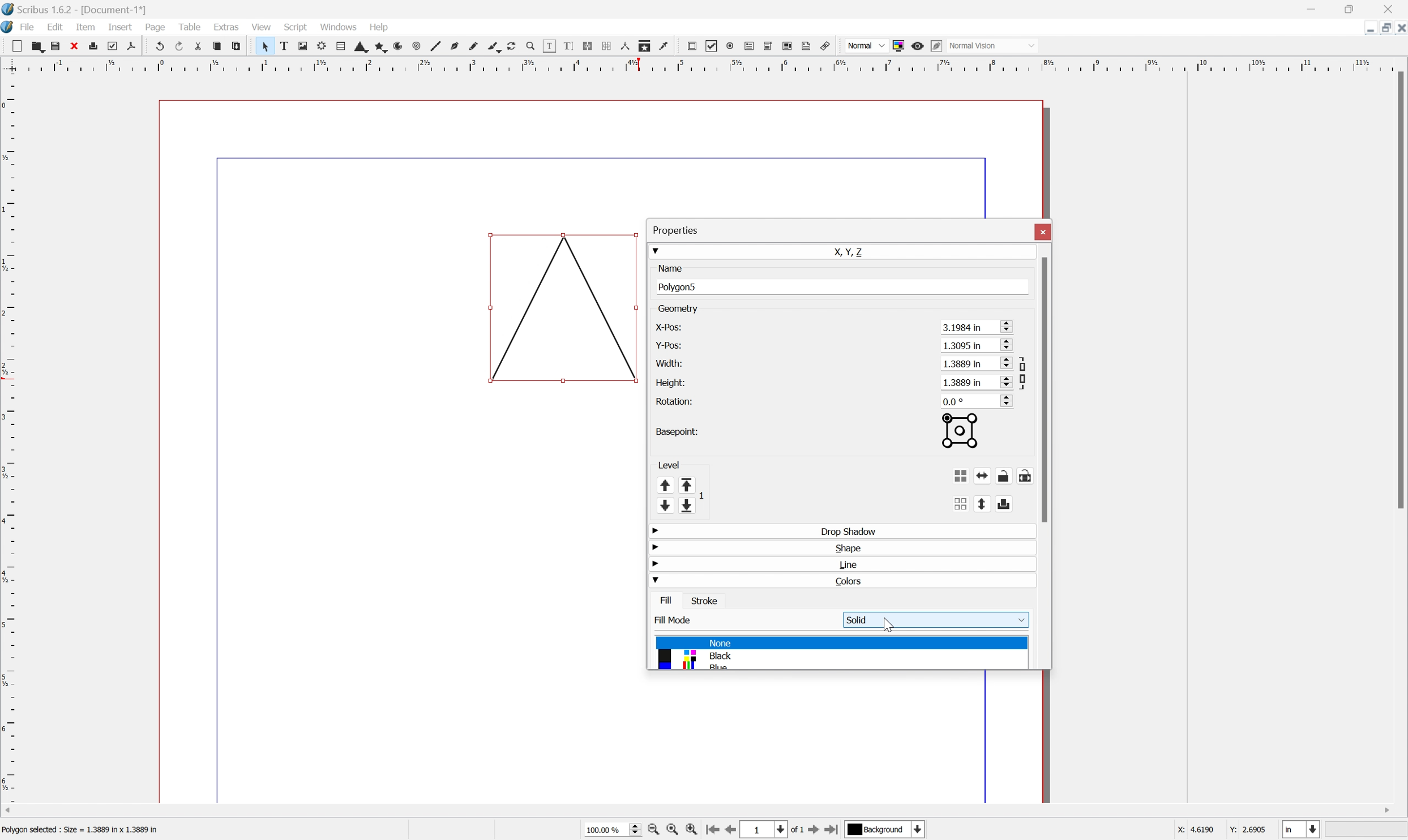  What do you see at coordinates (657, 532) in the screenshot?
I see `Drop Down` at bounding box center [657, 532].